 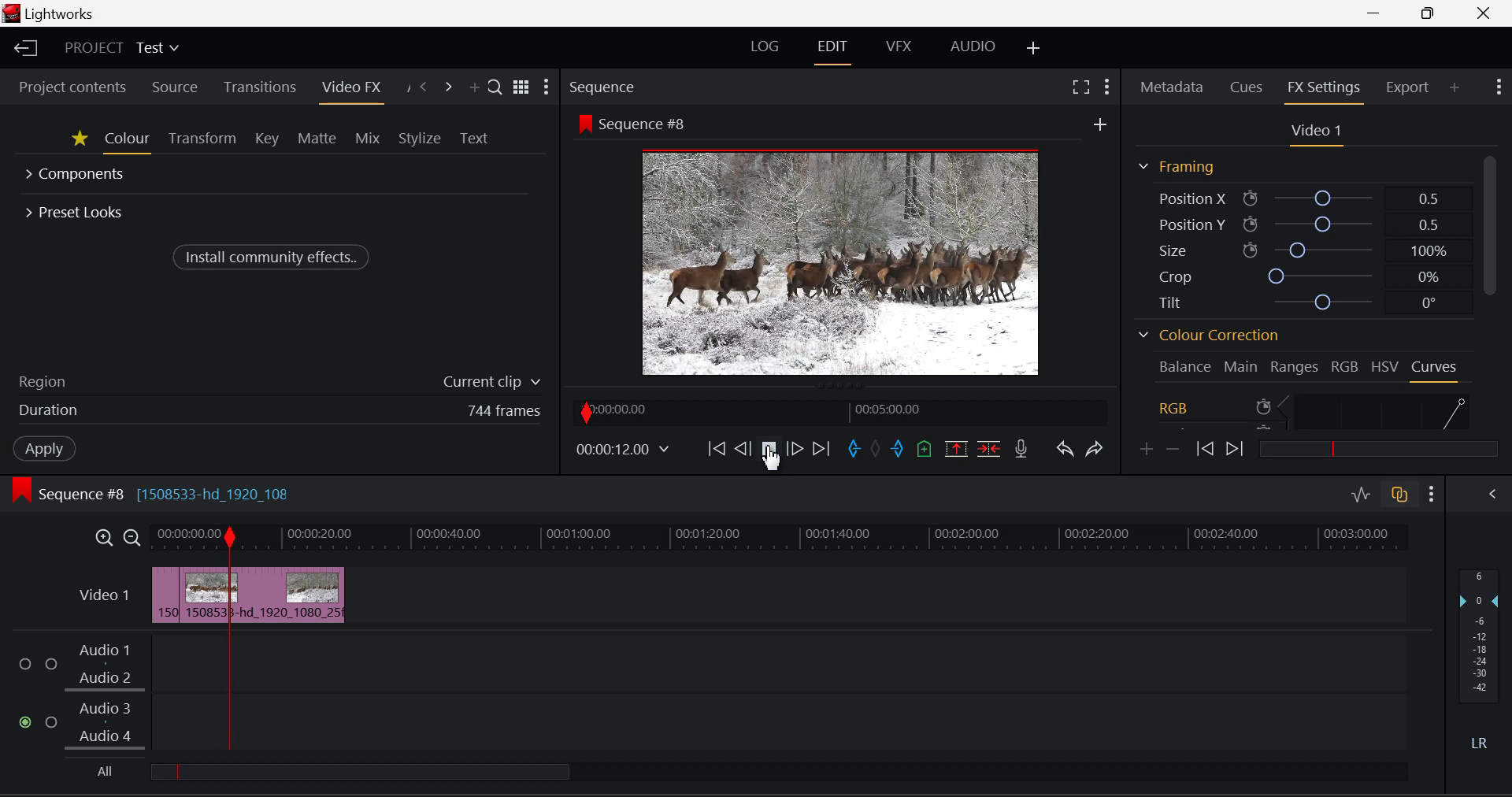 What do you see at coordinates (237, 639) in the screenshot?
I see `Second Clip Cut Point` at bounding box center [237, 639].